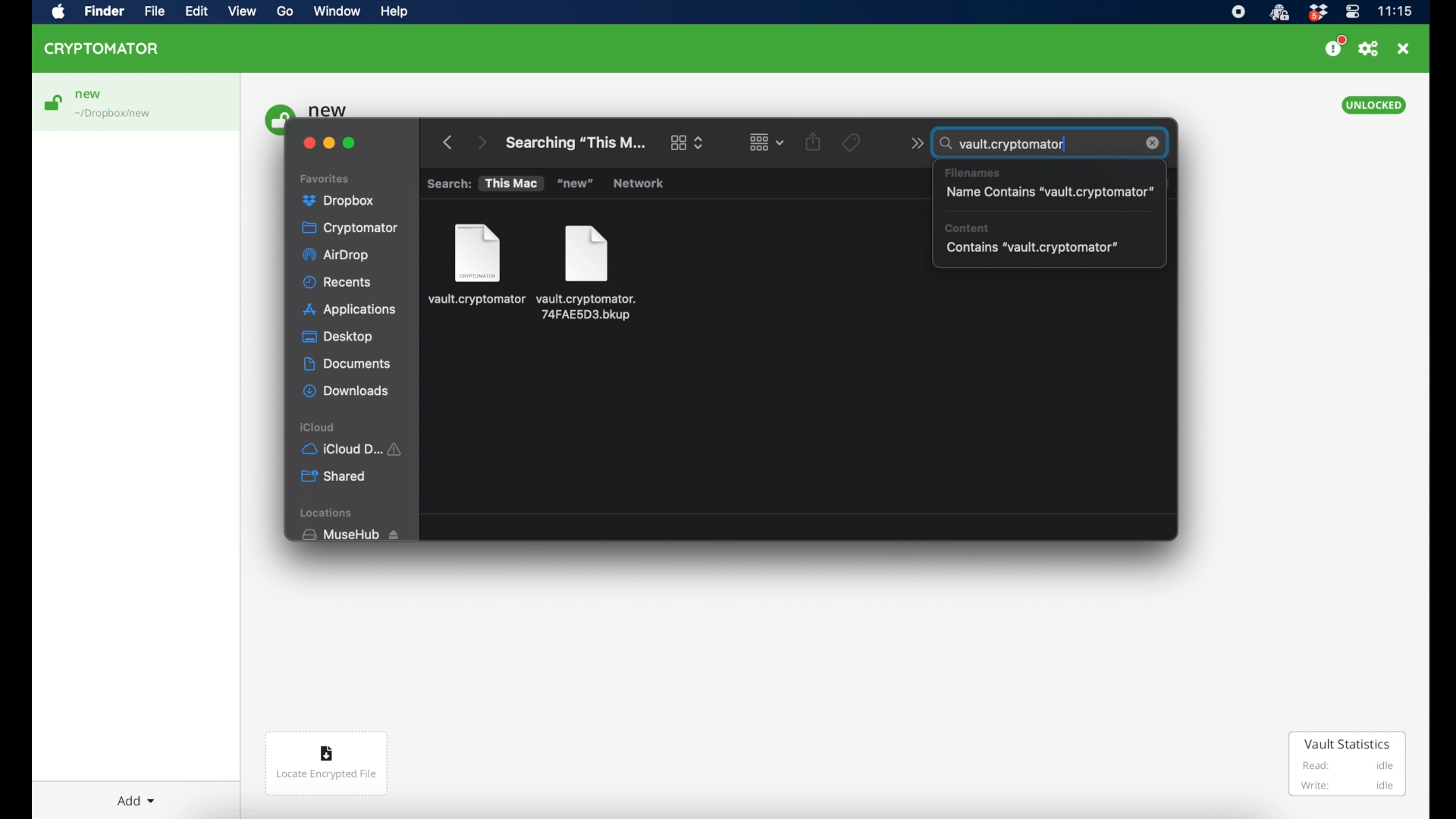 Image resolution: width=1456 pixels, height=819 pixels. Describe the element at coordinates (89, 95) in the screenshot. I see `new` at that location.